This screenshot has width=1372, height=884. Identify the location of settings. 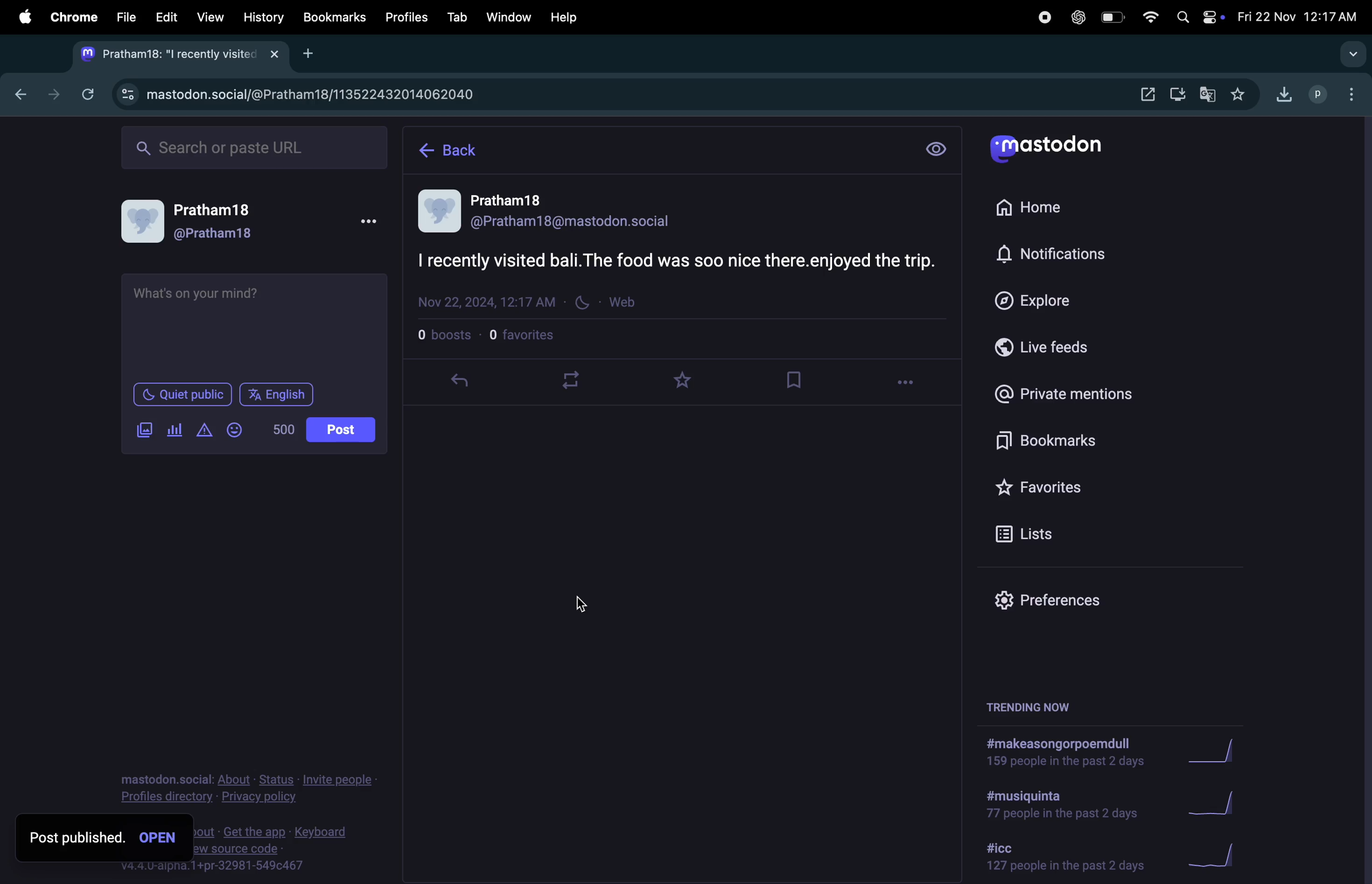
(1148, 94).